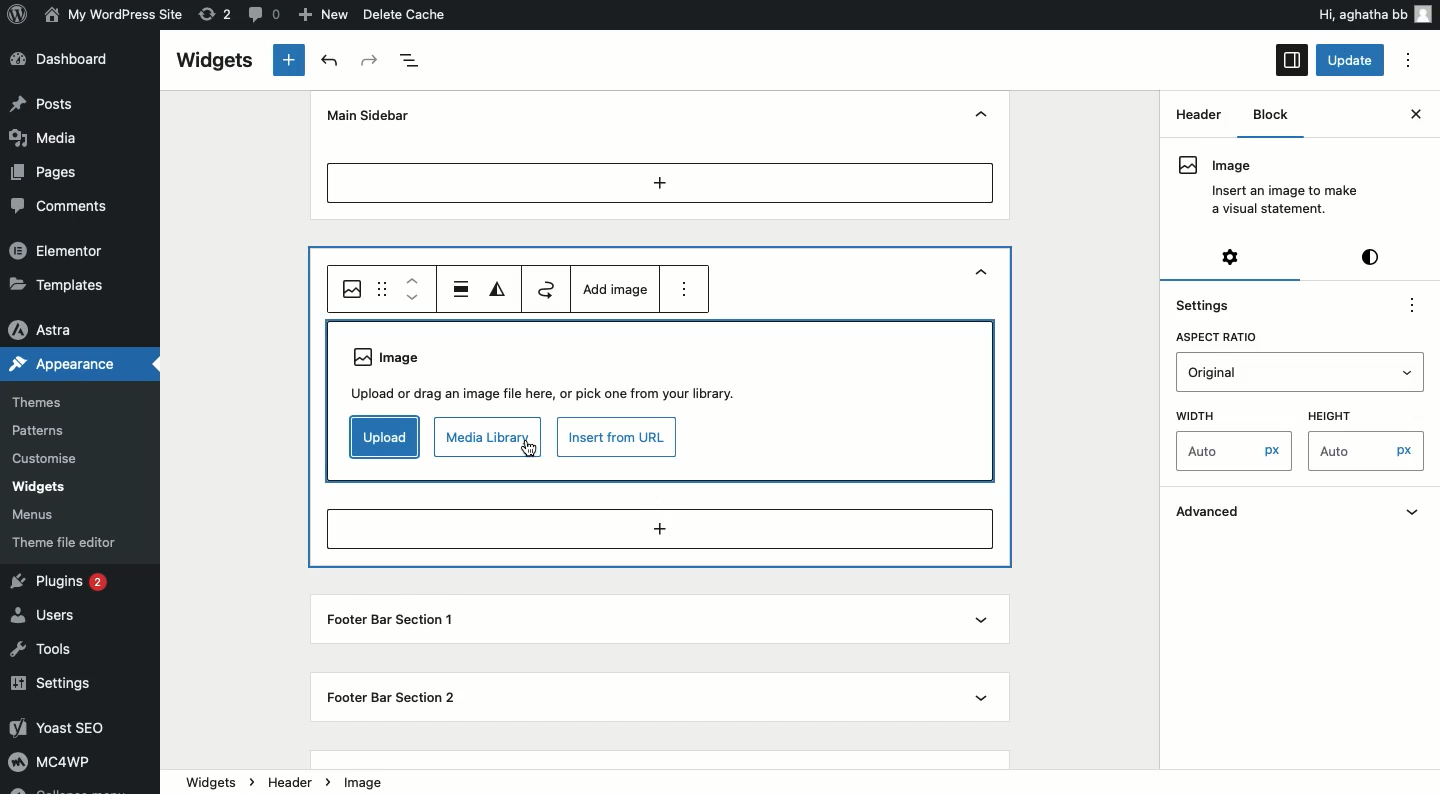 This screenshot has width=1440, height=794. Describe the element at coordinates (58, 249) in the screenshot. I see `Elementor` at that location.